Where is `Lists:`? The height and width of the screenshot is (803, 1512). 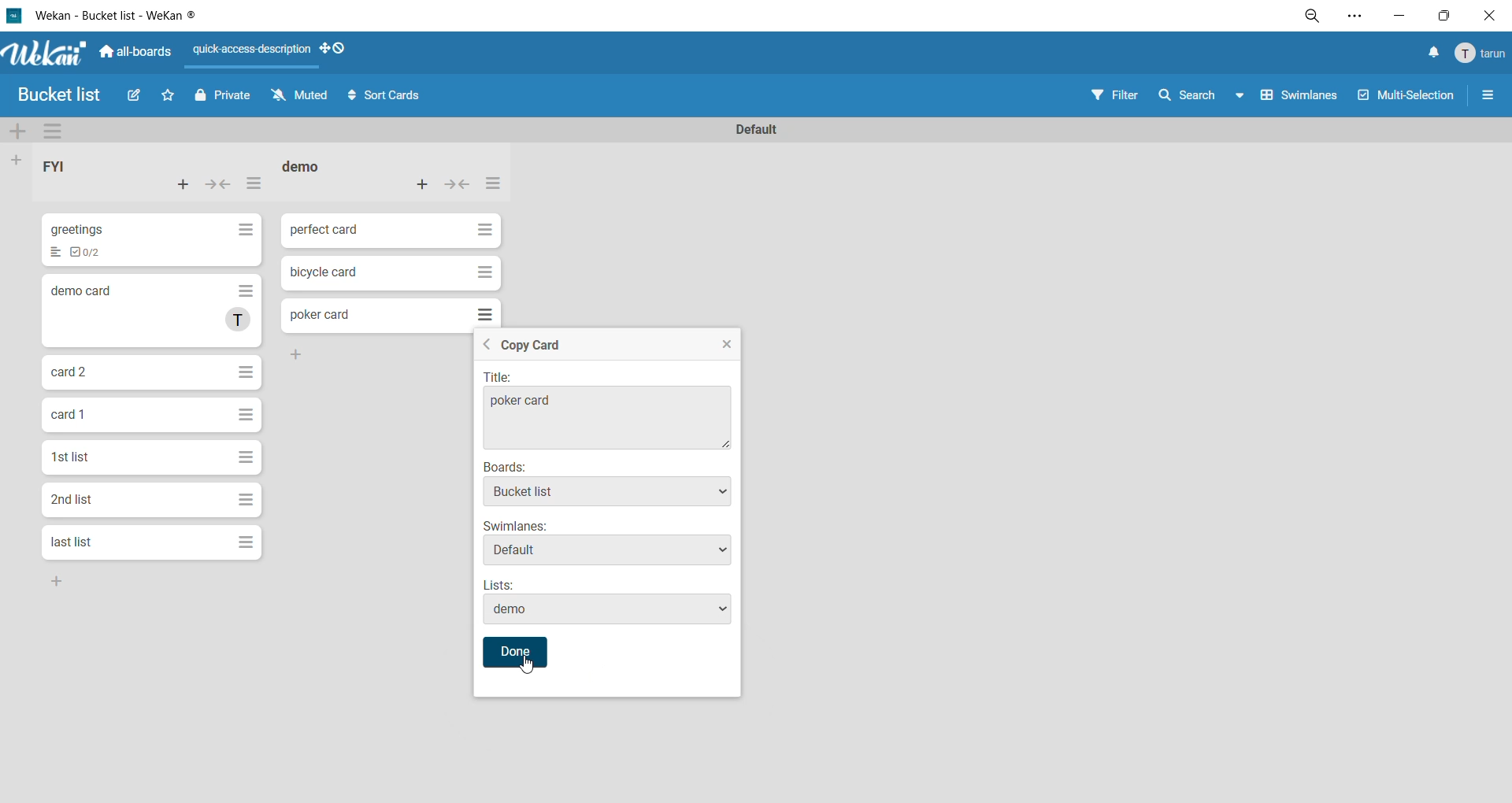 Lists: is located at coordinates (501, 583).